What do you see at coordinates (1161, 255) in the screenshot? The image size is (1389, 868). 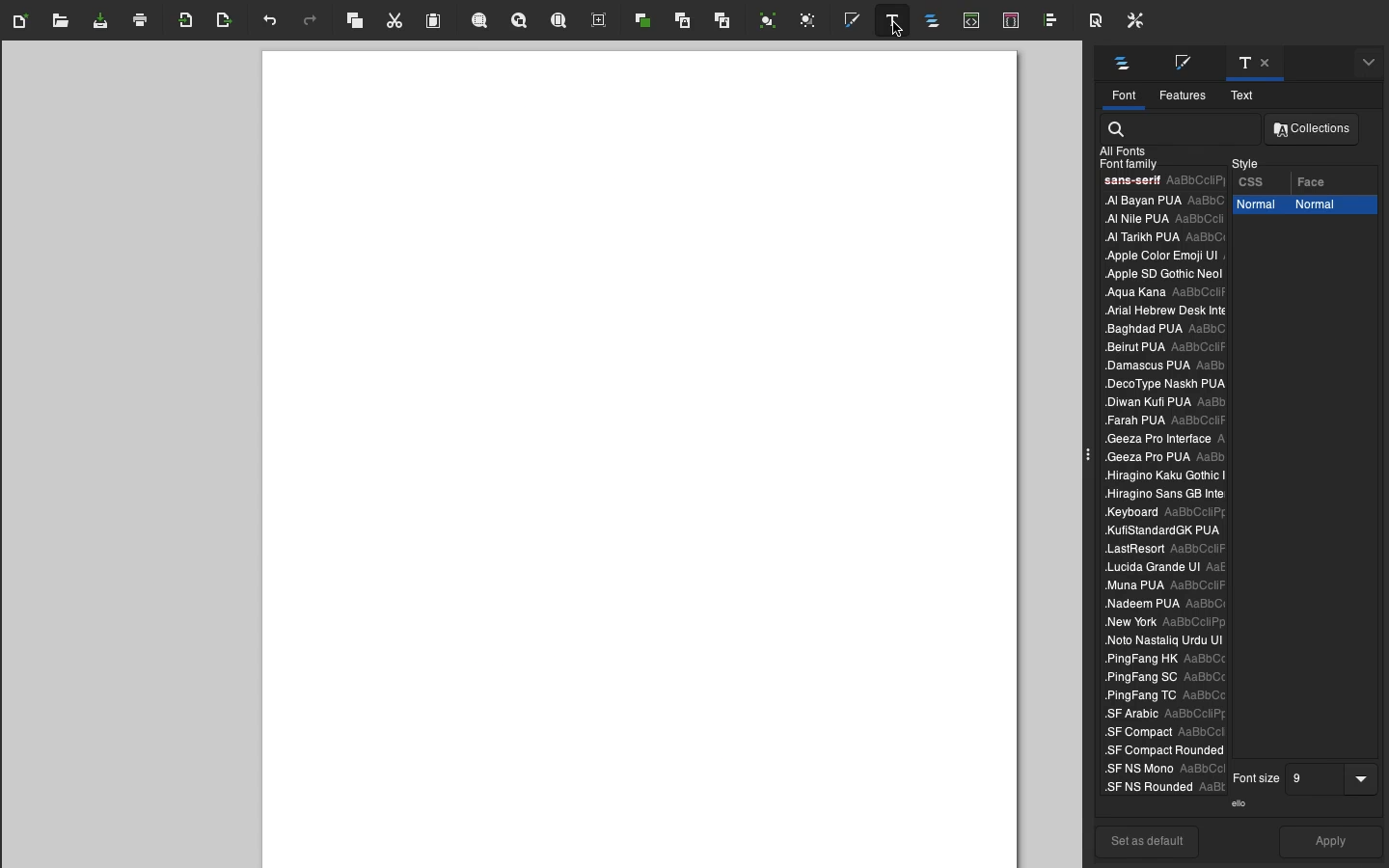 I see `.Apple Co or Emoji UI` at bounding box center [1161, 255].